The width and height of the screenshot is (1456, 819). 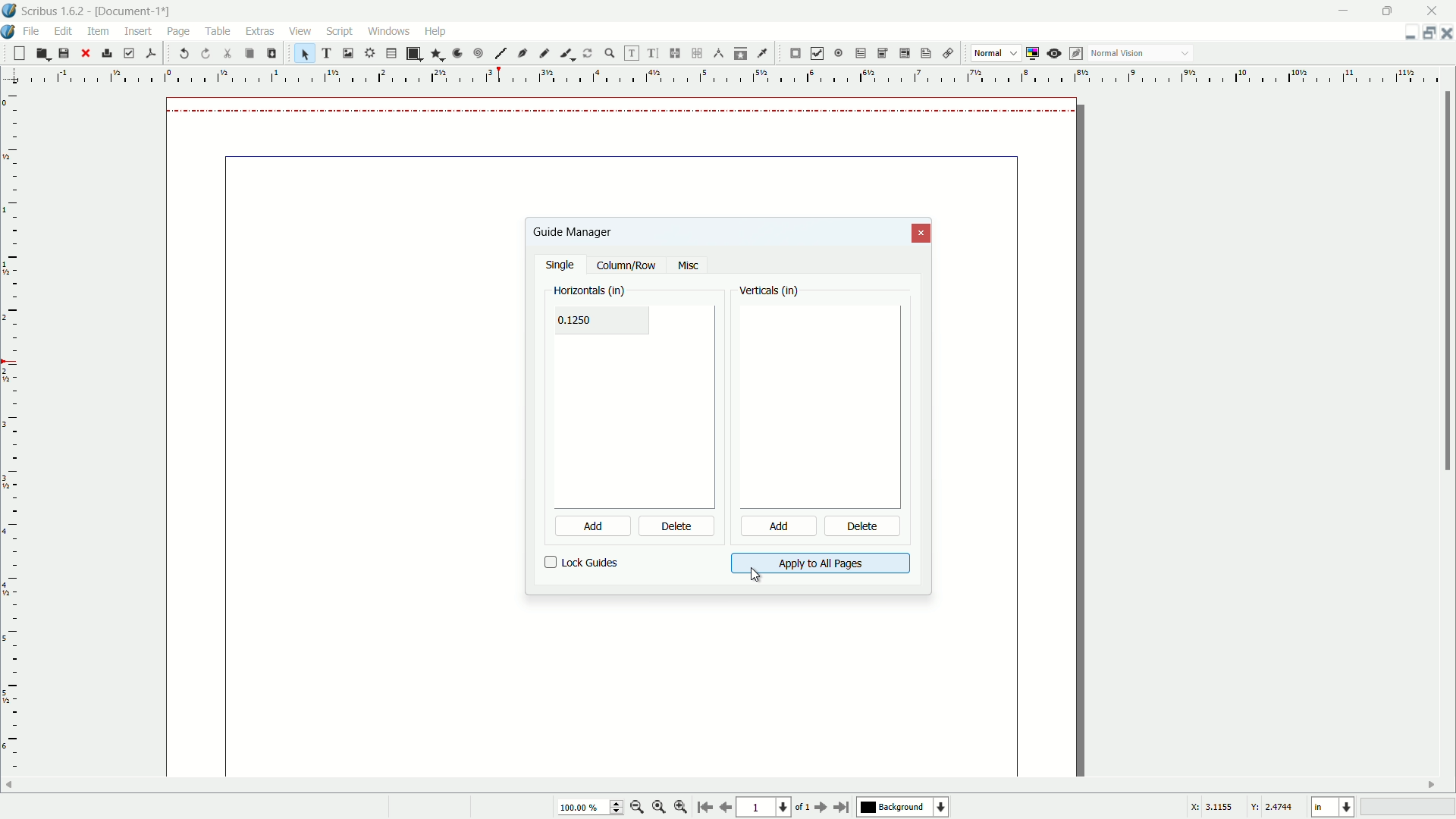 I want to click on pdf radio button, so click(x=837, y=54).